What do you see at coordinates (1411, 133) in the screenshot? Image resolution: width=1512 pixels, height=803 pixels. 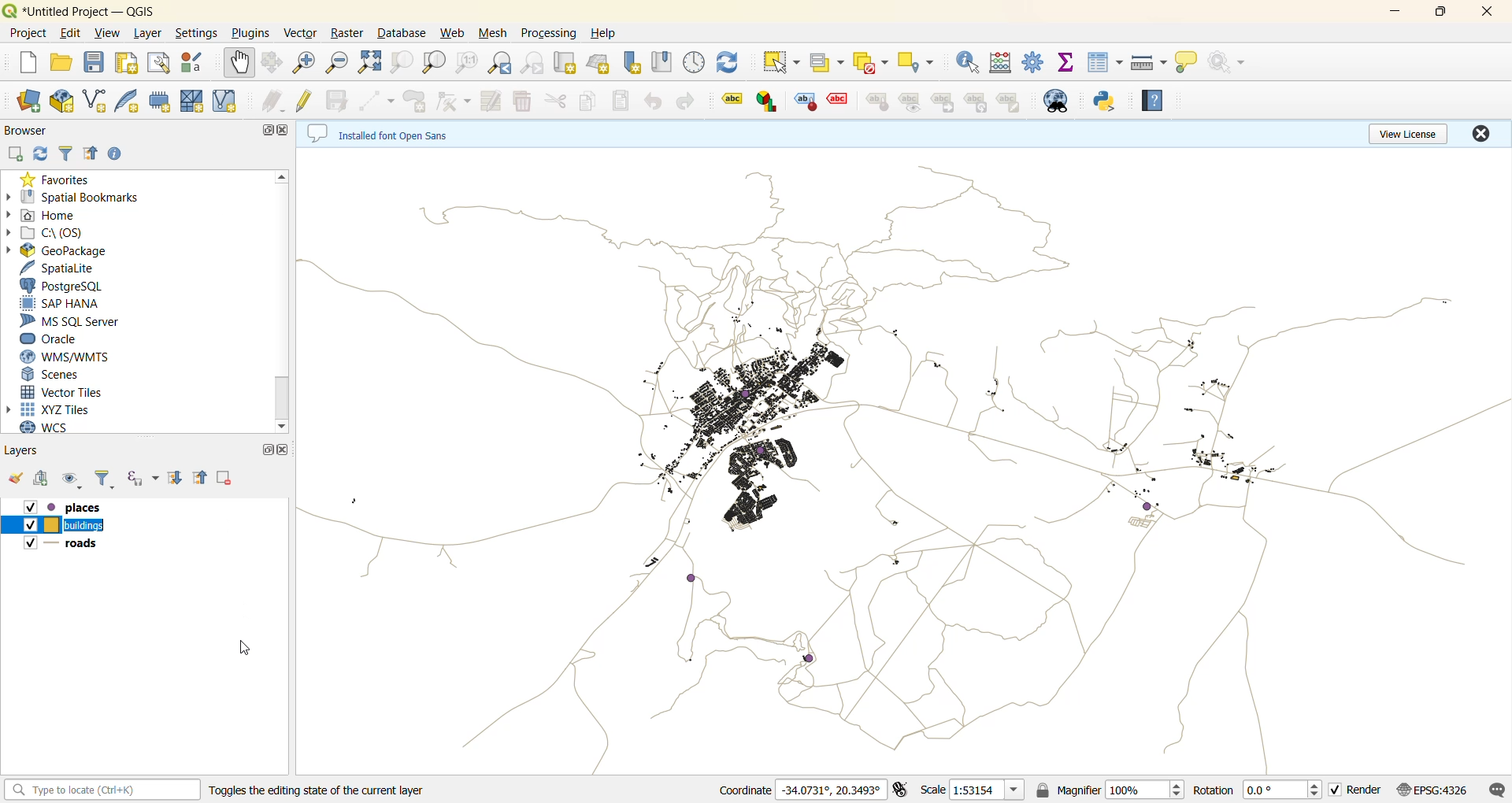 I see `view license` at bounding box center [1411, 133].